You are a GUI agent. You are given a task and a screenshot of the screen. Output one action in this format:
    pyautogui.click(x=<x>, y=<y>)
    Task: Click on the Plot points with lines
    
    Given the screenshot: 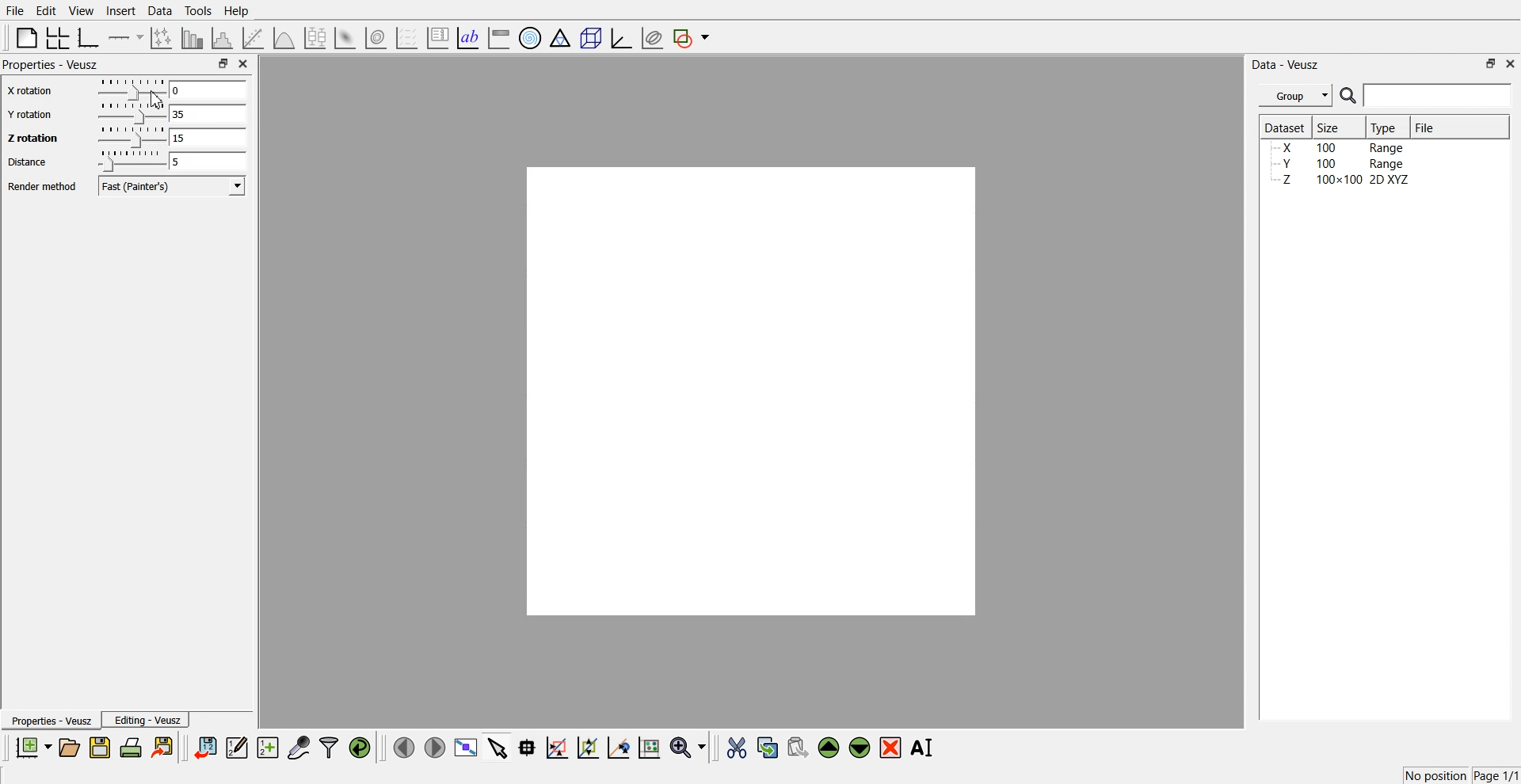 What is the action you would take?
    pyautogui.click(x=162, y=38)
    